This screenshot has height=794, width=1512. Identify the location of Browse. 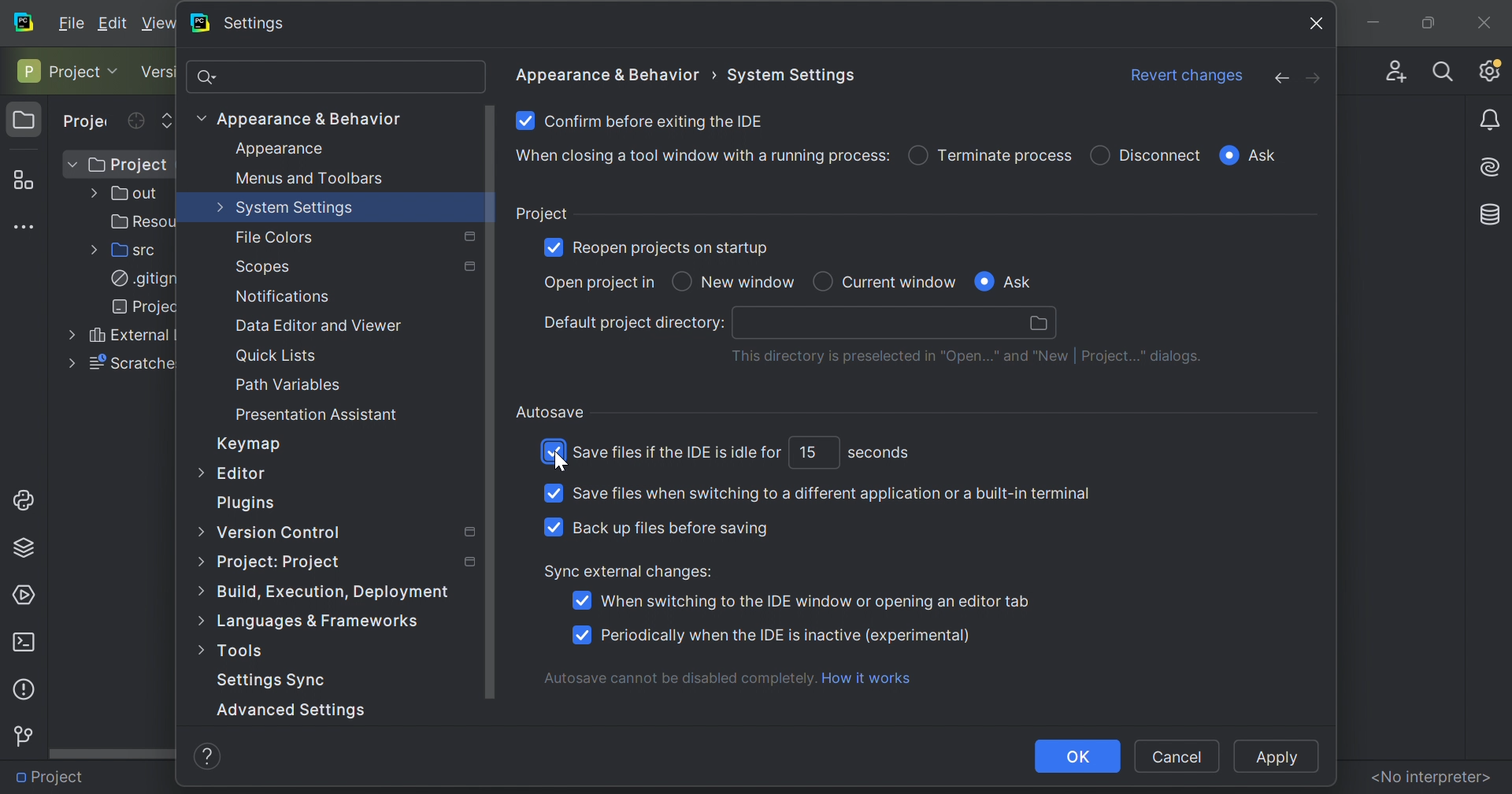
(1040, 323).